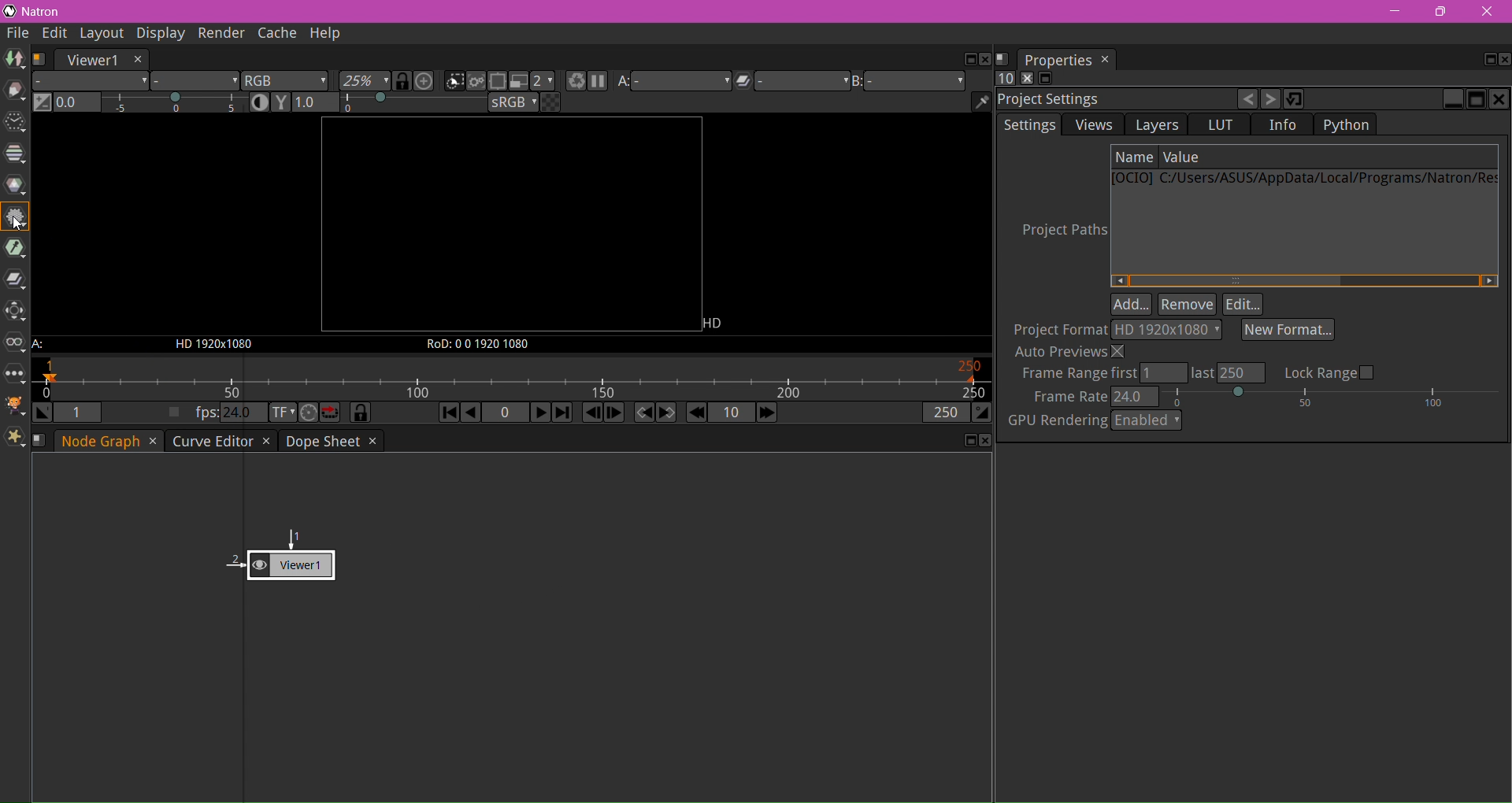 The height and width of the screenshot is (803, 1512). Describe the element at coordinates (15, 218) in the screenshot. I see `Filter` at that location.